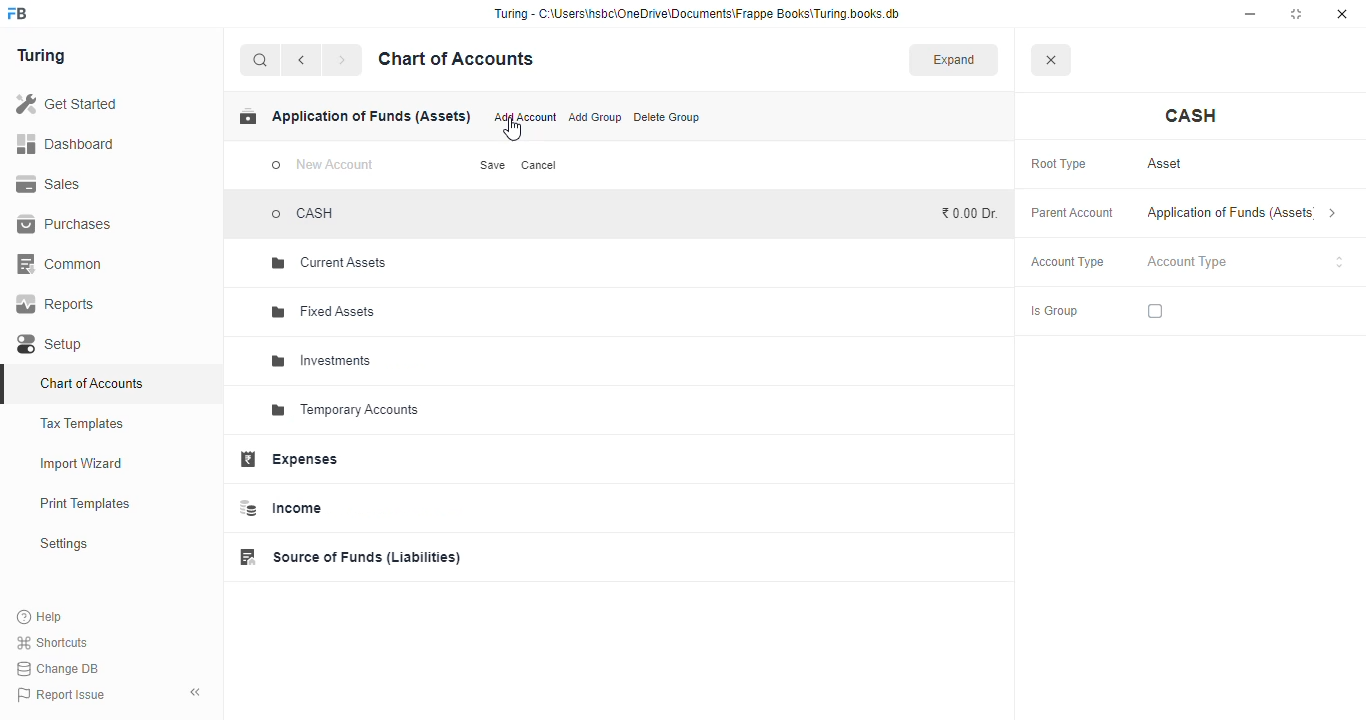  Describe the element at coordinates (355, 116) in the screenshot. I see `application of funds (assets)` at that location.